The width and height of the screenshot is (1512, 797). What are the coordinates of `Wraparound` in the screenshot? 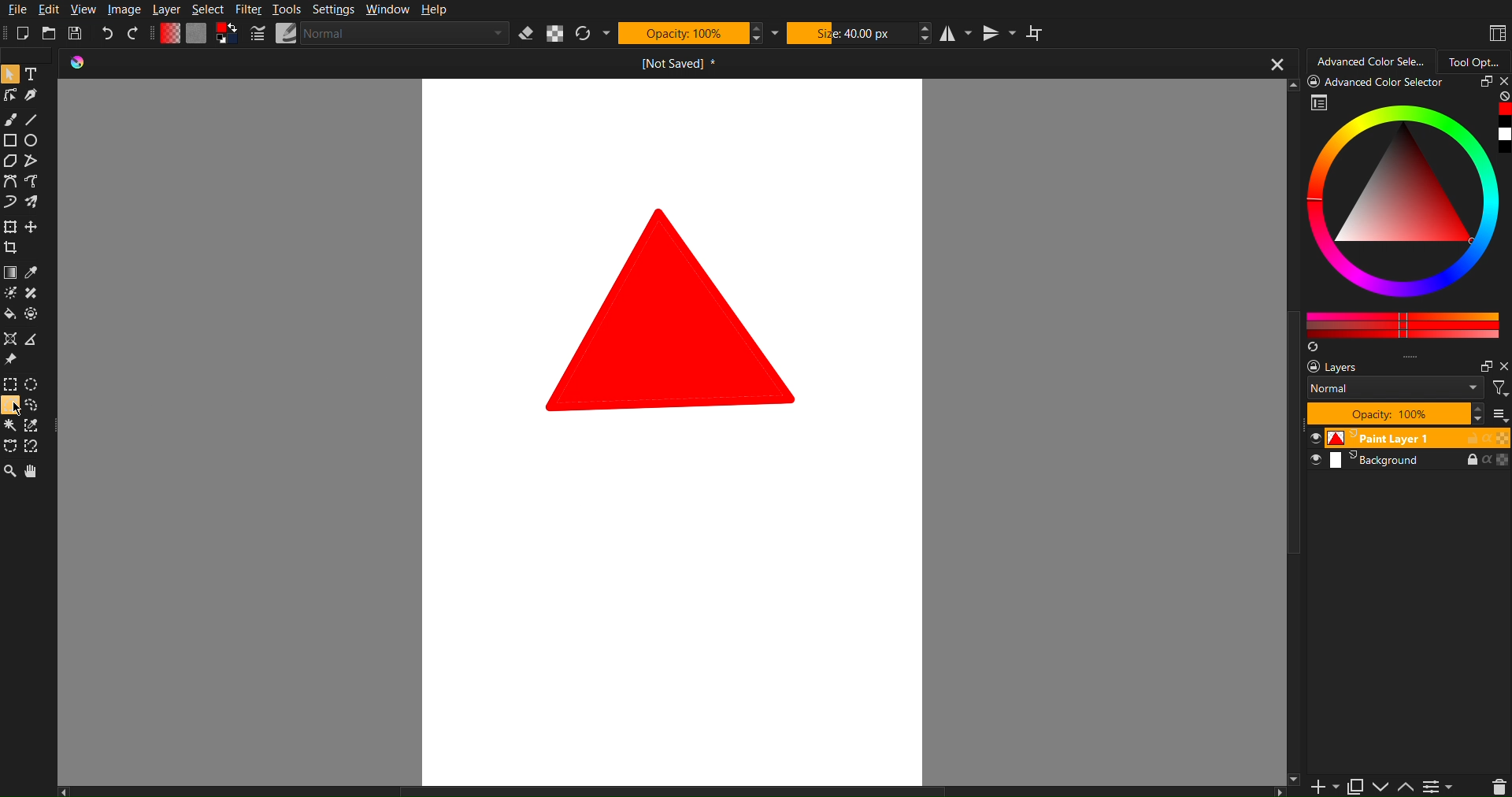 It's located at (1037, 33).